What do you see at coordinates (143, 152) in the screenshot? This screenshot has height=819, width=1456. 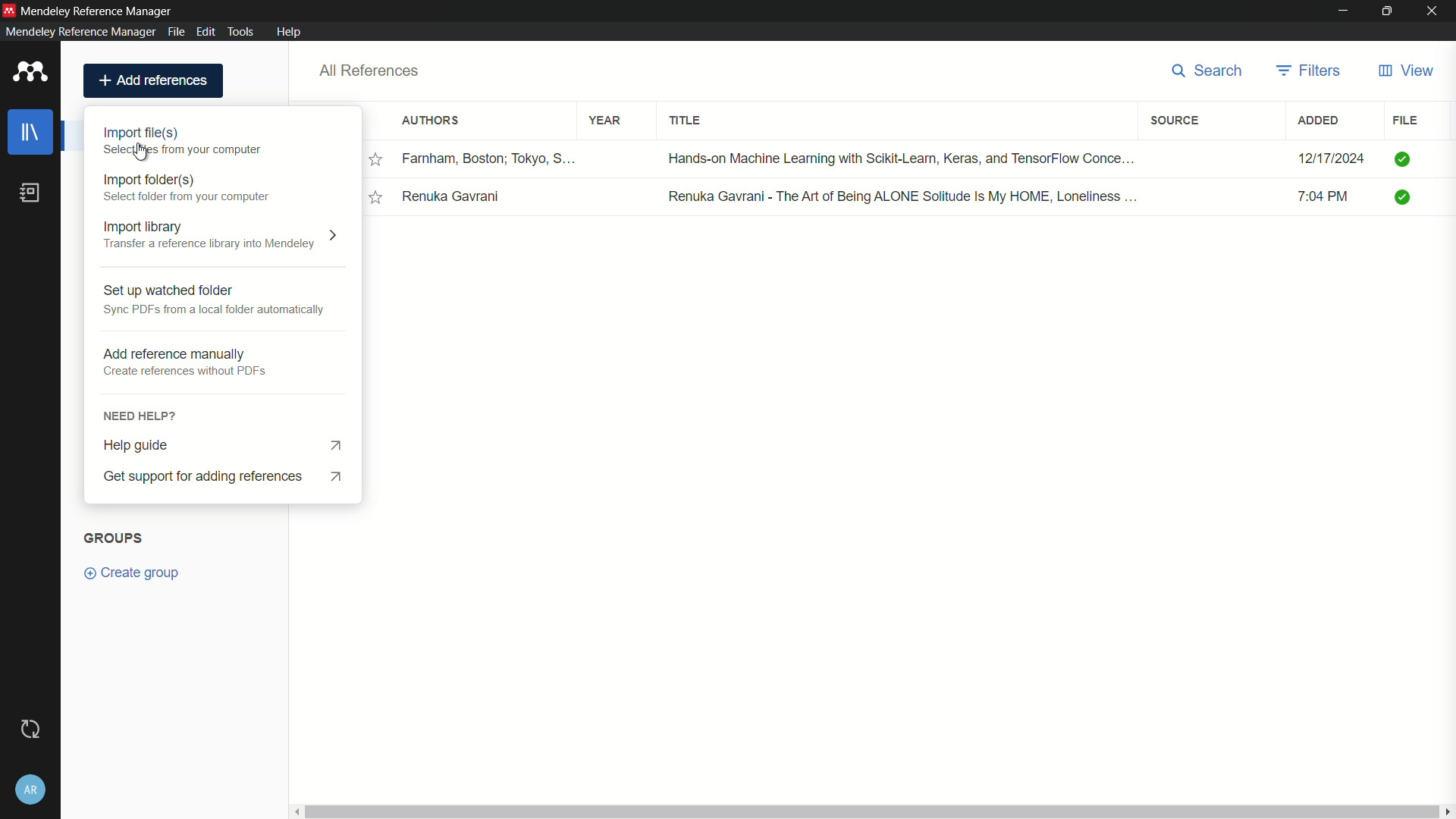 I see `cursor` at bounding box center [143, 152].